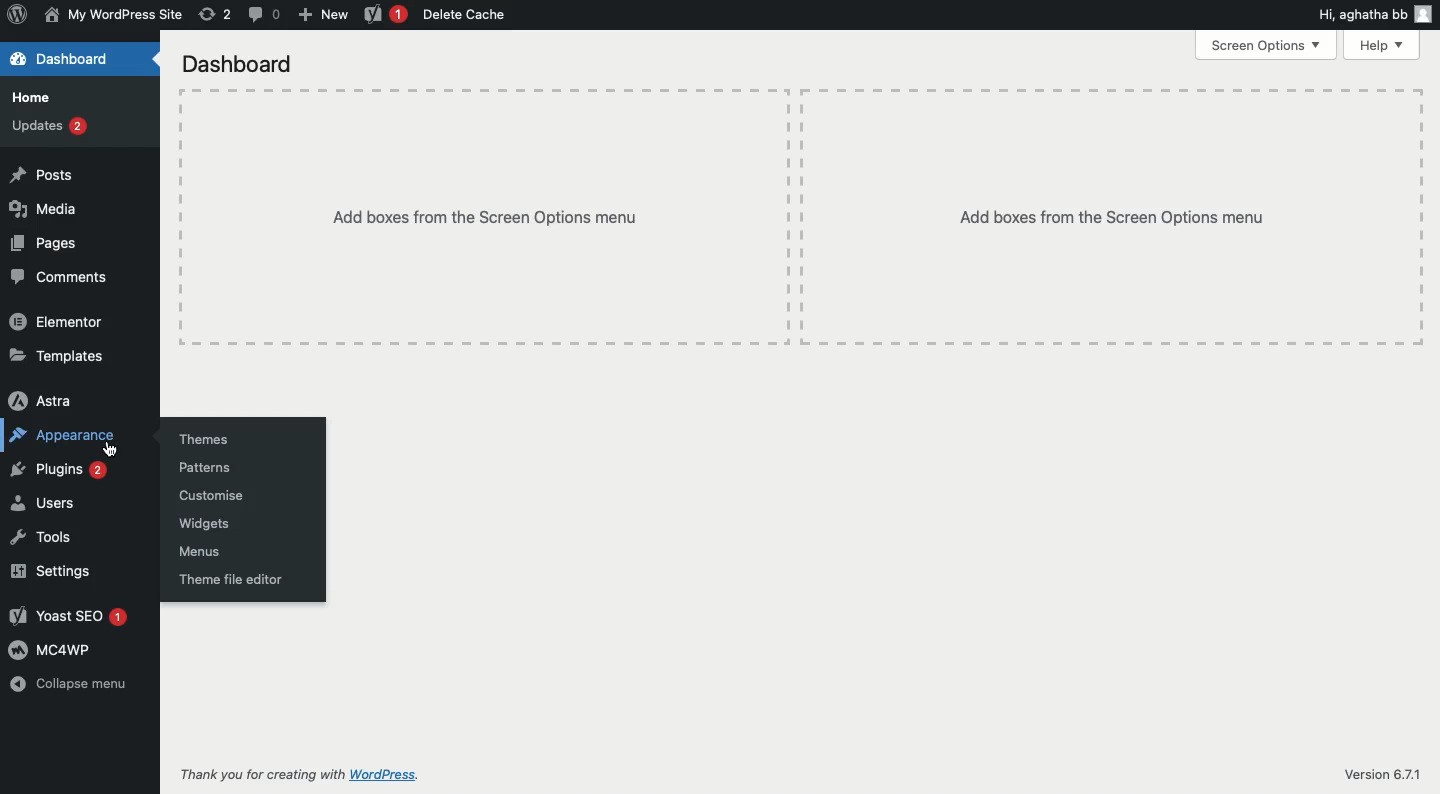 The height and width of the screenshot is (794, 1440). I want to click on Comments, so click(61, 277).